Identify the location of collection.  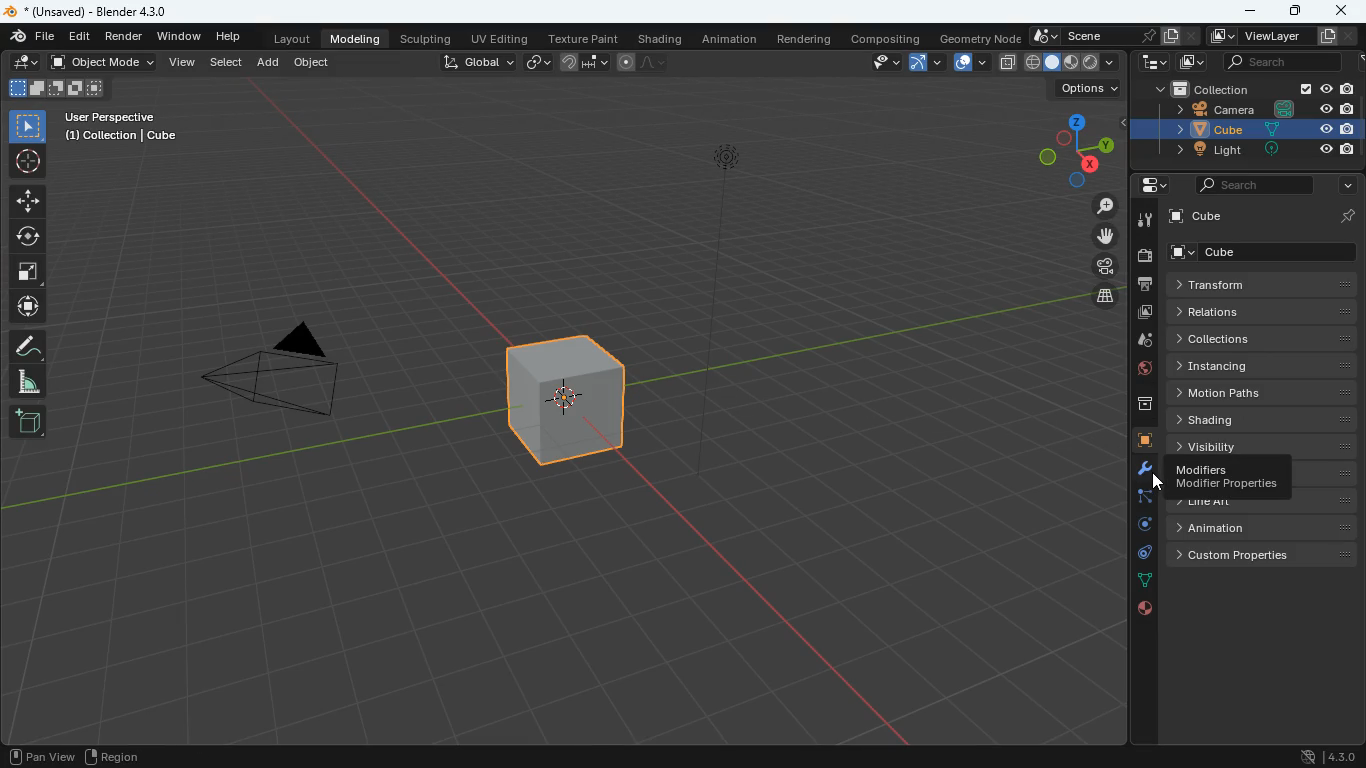
(1252, 89).